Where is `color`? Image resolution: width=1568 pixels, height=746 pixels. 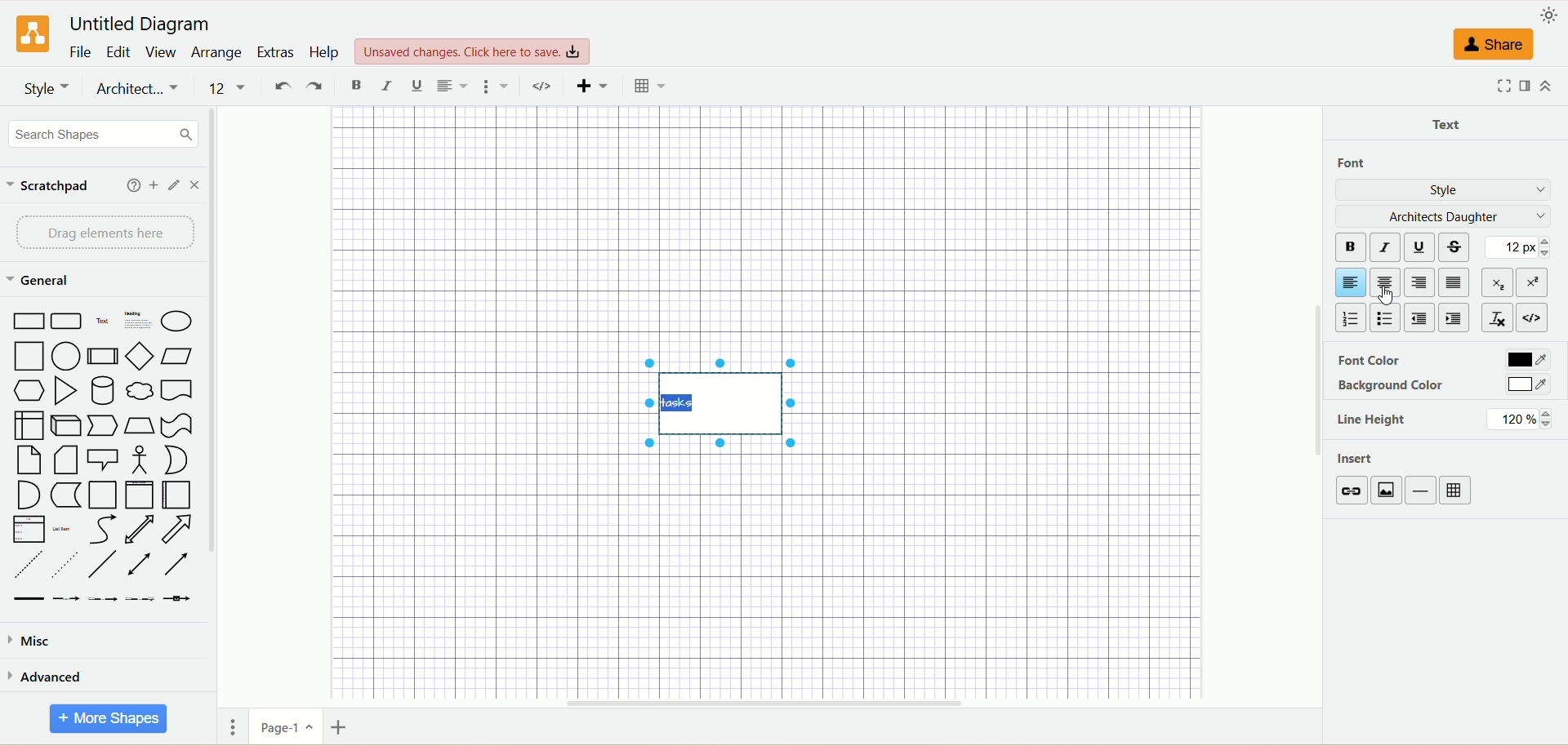
color is located at coordinates (1525, 358).